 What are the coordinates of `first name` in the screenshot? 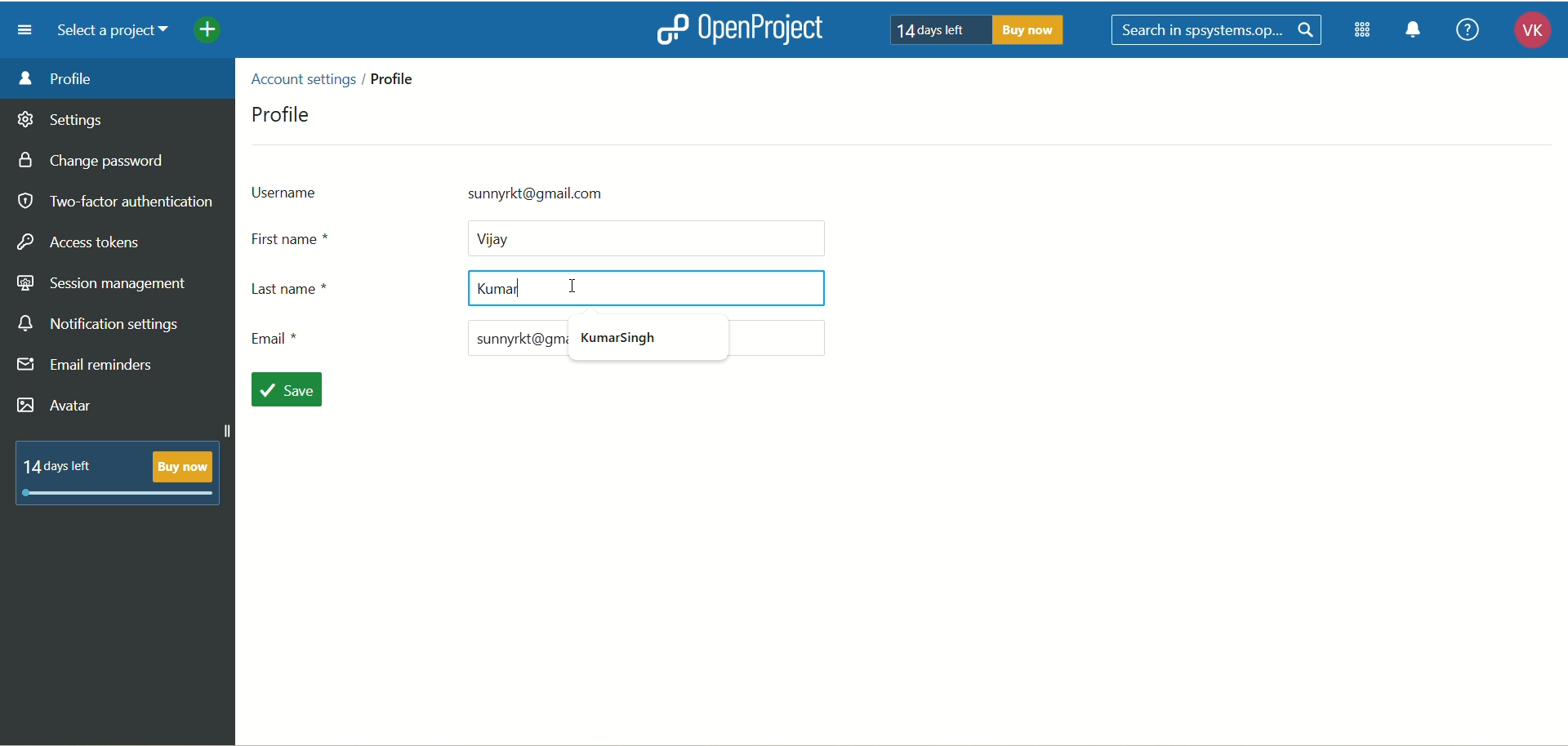 It's located at (543, 238).